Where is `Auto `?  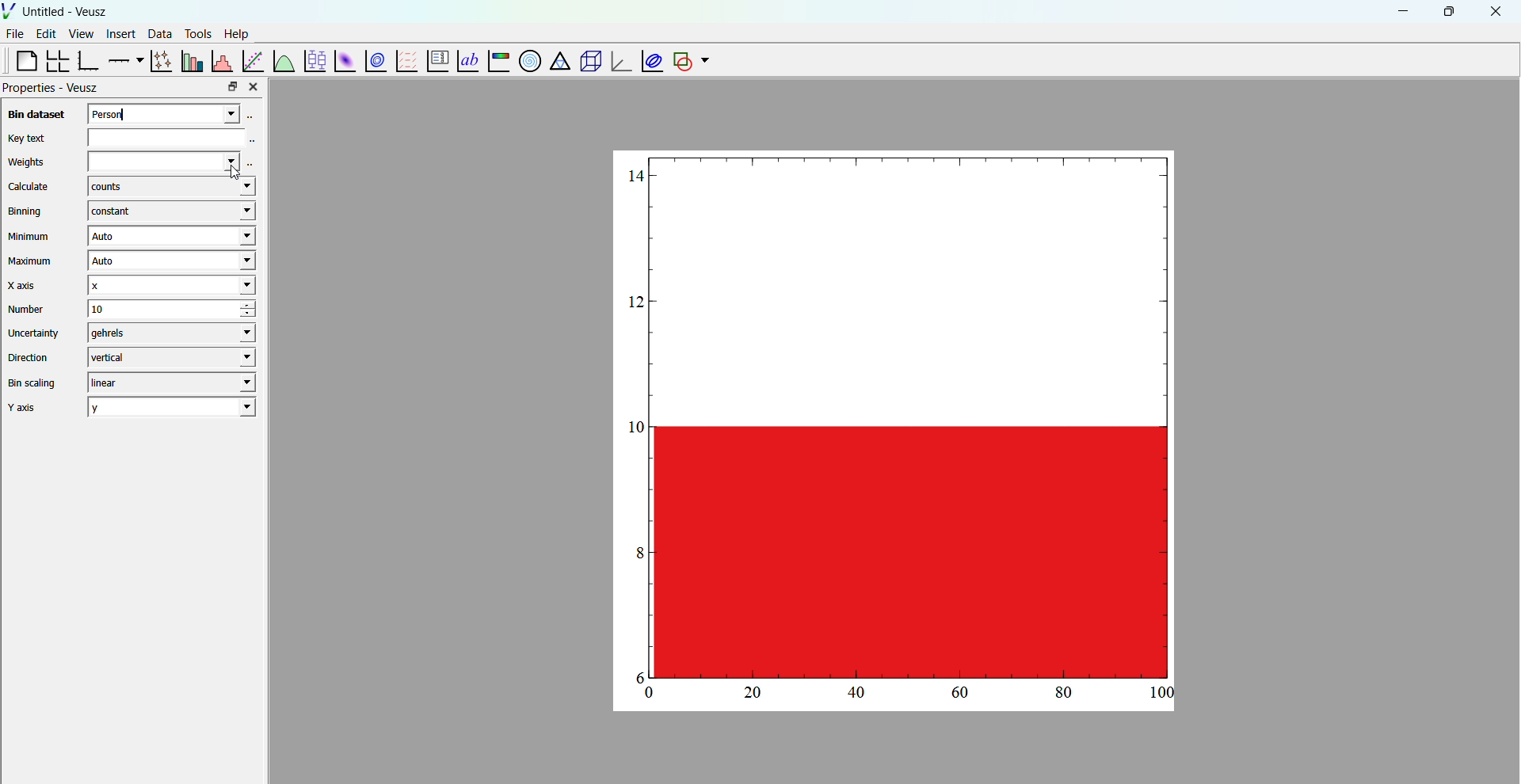
Auto  is located at coordinates (169, 262).